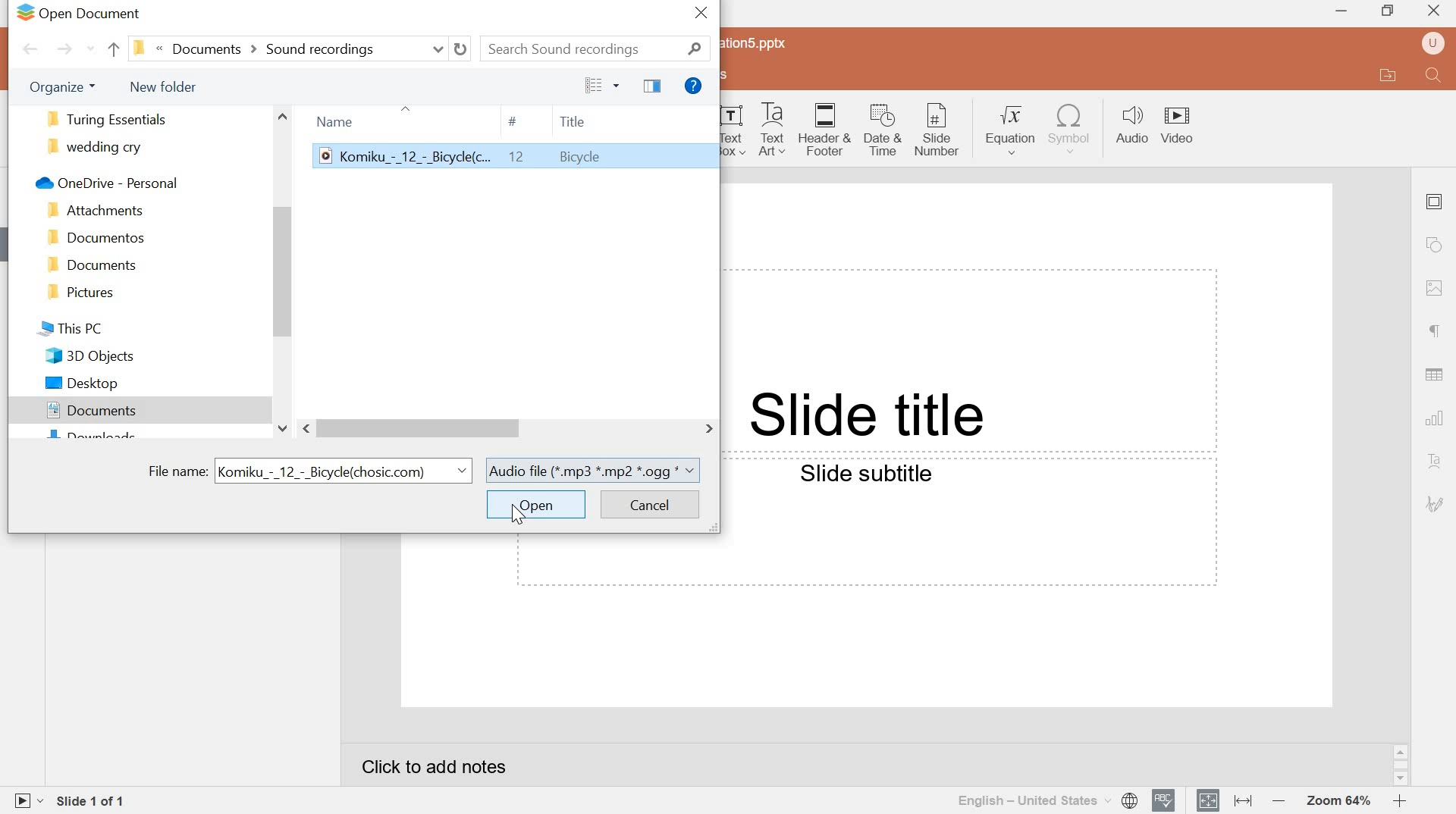 The width and height of the screenshot is (1456, 814). Describe the element at coordinates (62, 49) in the screenshot. I see `forward` at that location.